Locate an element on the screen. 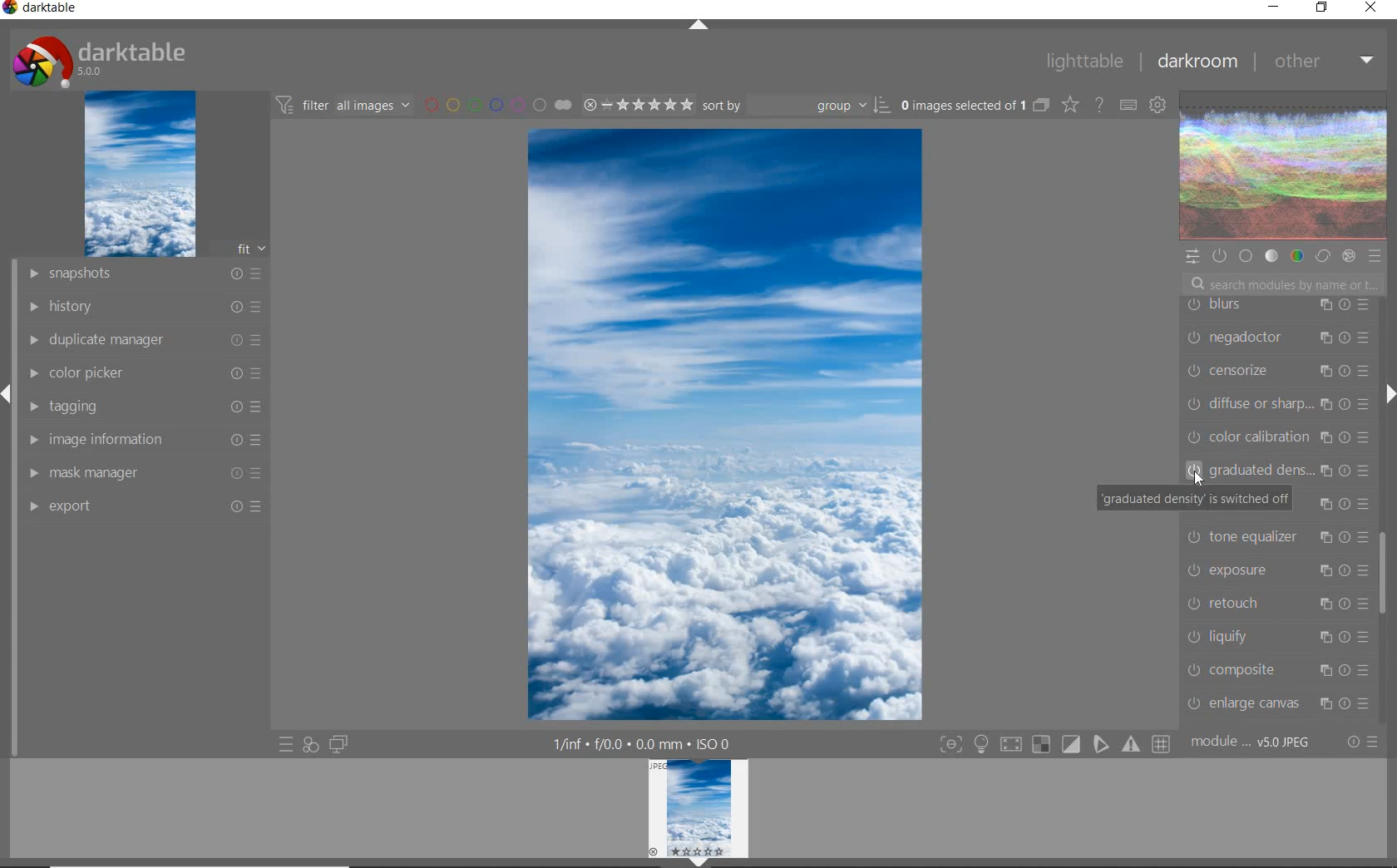  module ... v5.0 JPEG is located at coordinates (1251, 745).